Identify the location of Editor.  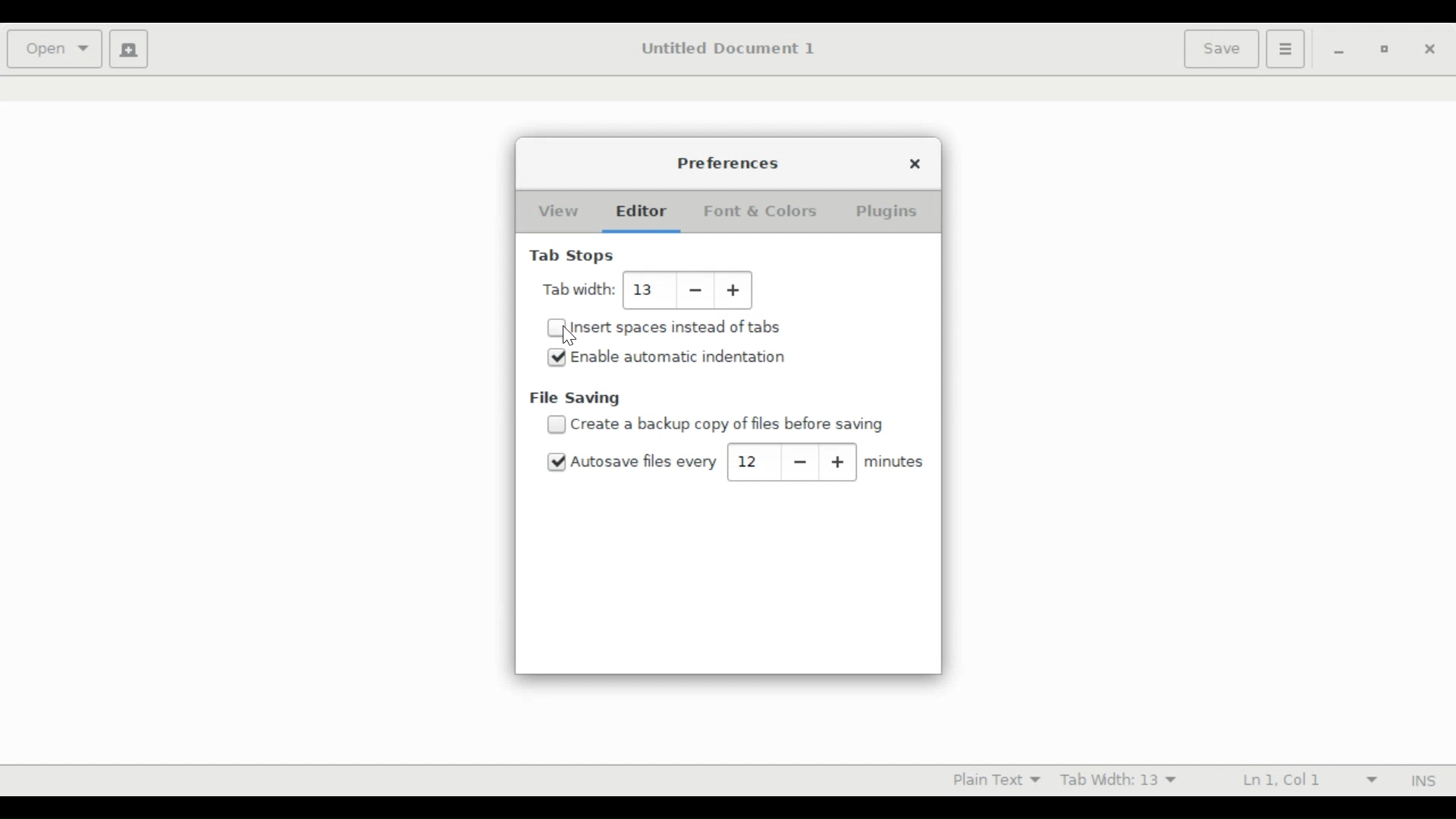
(640, 211).